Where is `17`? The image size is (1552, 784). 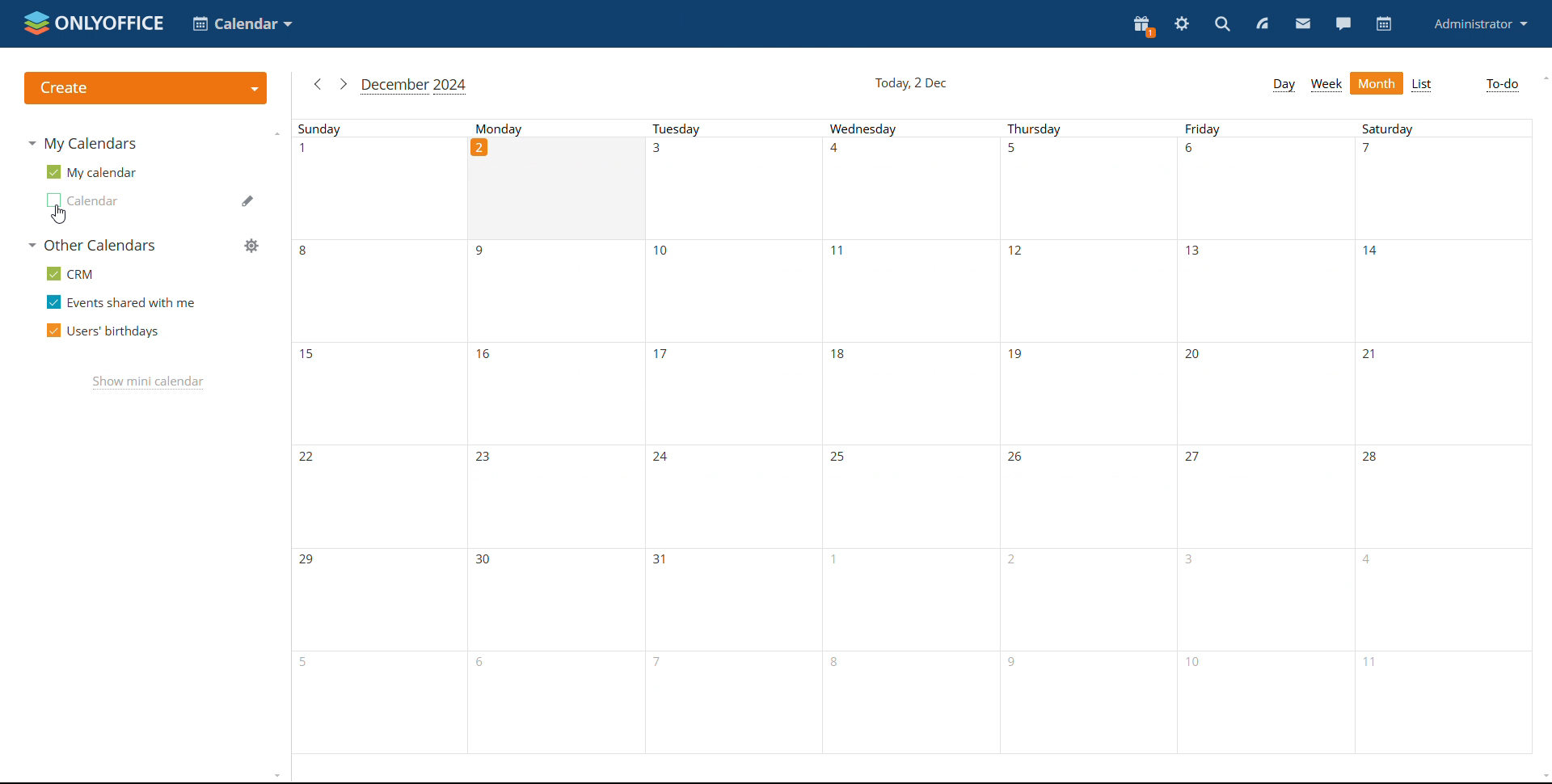
17 is located at coordinates (730, 394).